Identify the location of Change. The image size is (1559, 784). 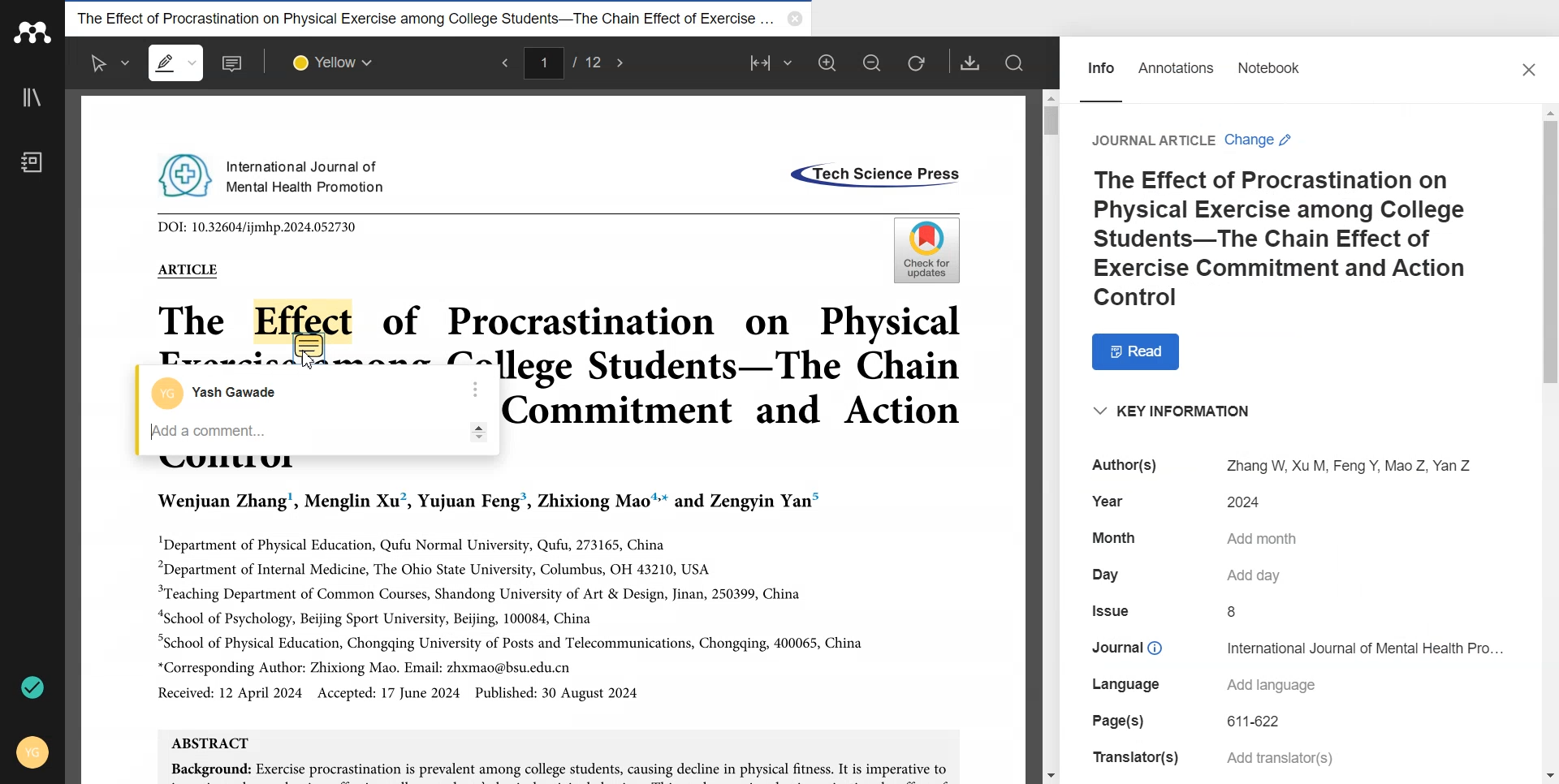
(1262, 140).